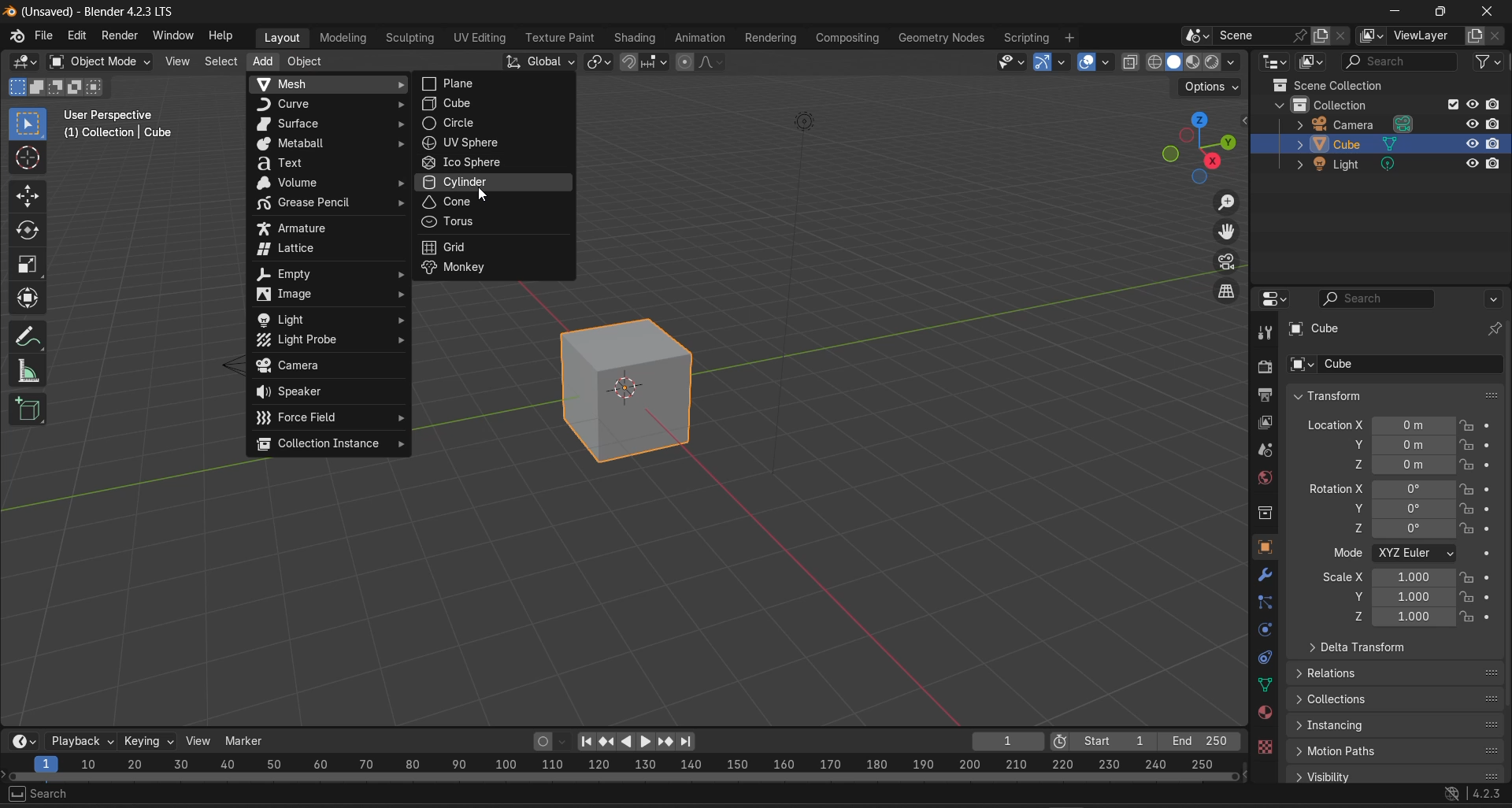 This screenshot has height=808, width=1512. Describe the element at coordinates (1263, 630) in the screenshot. I see `physics` at that location.